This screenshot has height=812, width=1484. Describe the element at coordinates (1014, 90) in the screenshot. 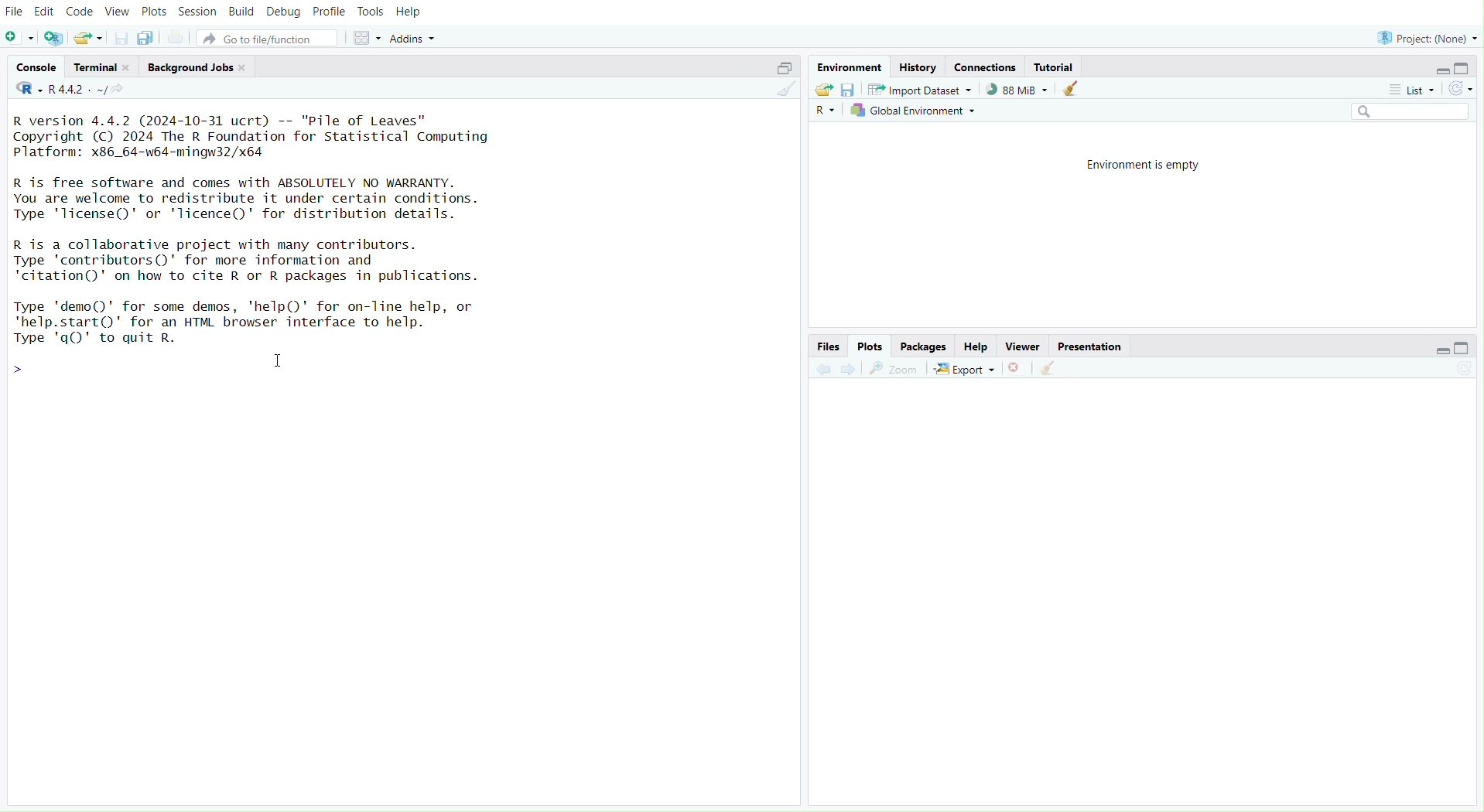

I see `88kib used by R session (Source: Windows System)` at that location.